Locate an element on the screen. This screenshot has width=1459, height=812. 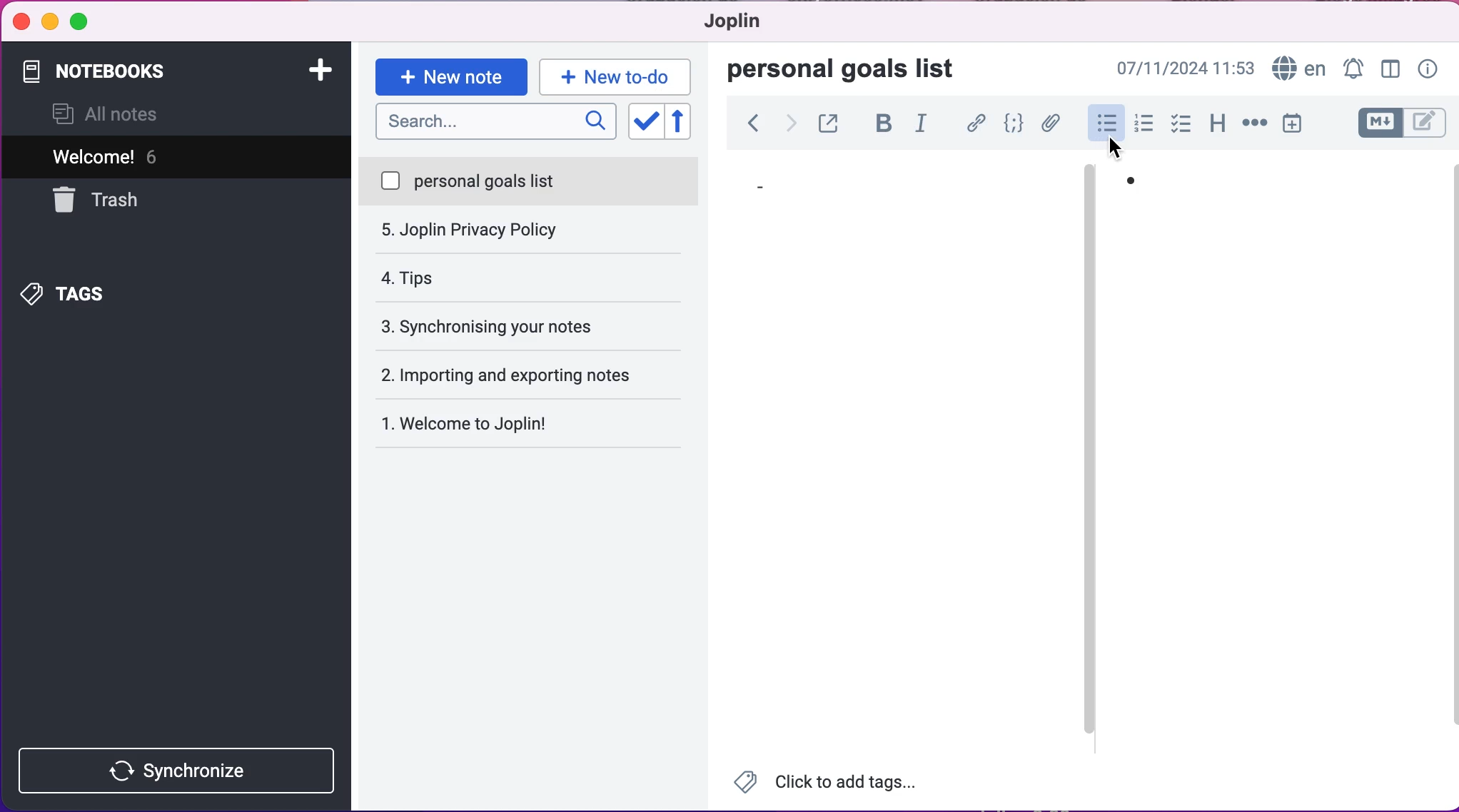
numbered lists is located at coordinates (1144, 126).